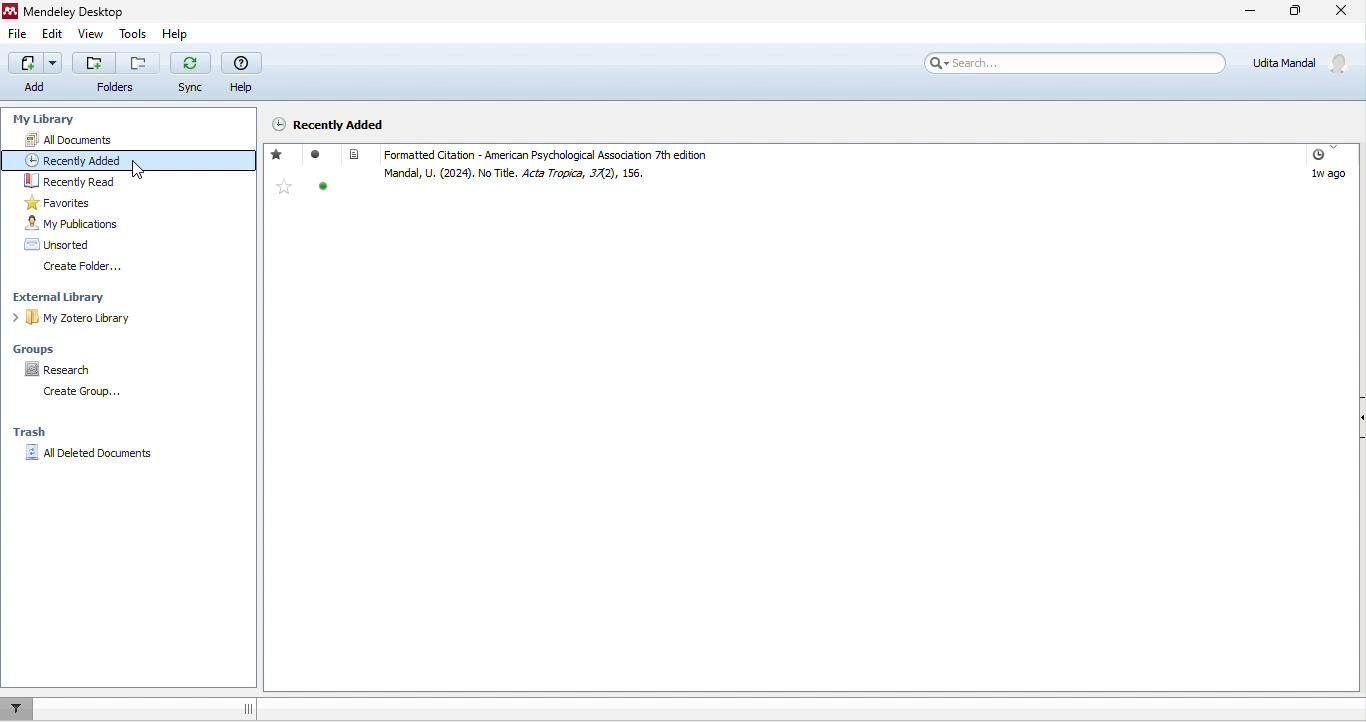  Describe the element at coordinates (240, 73) in the screenshot. I see `help` at that location.